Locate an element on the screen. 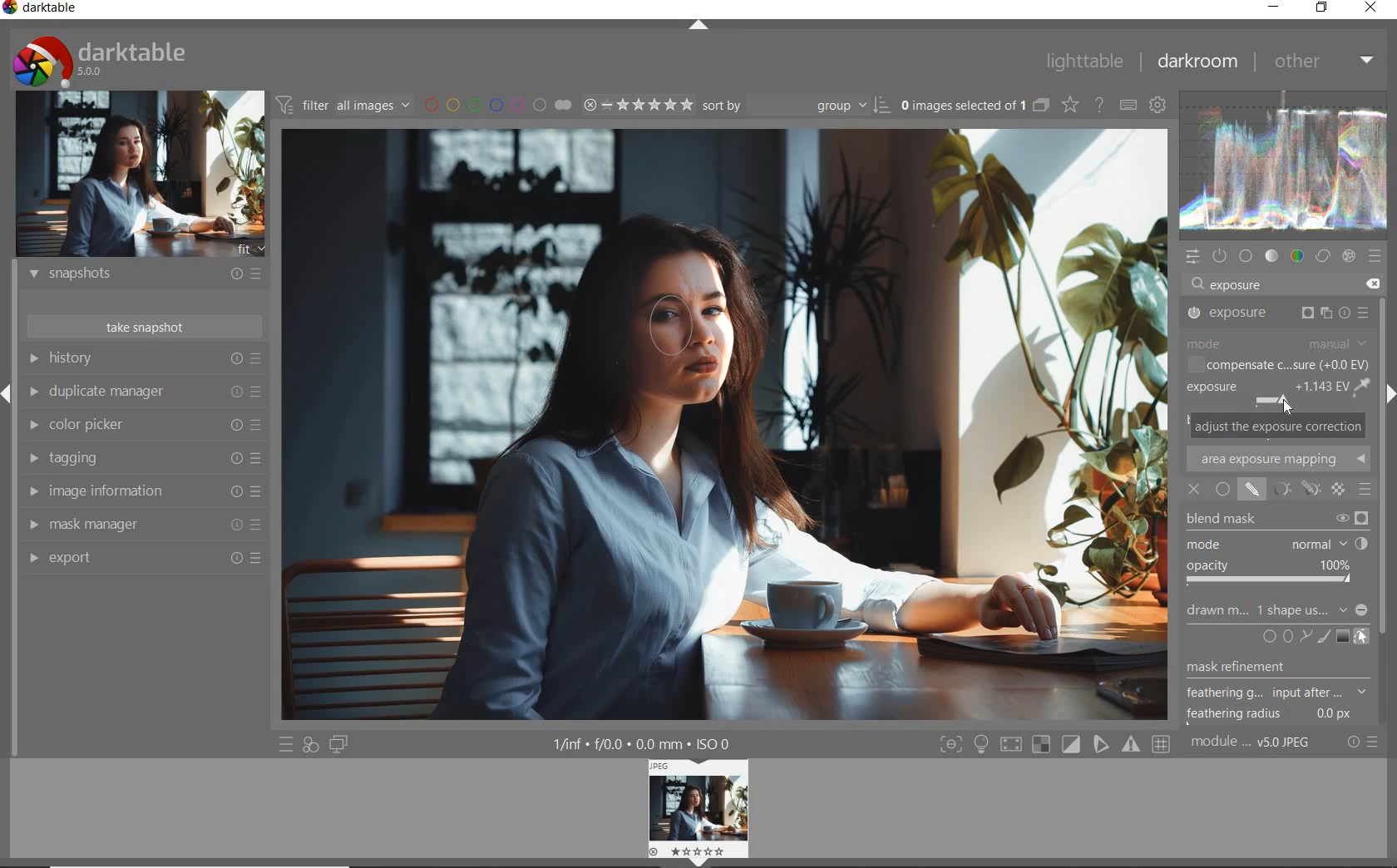 This screenshot has height=868, width=1397. change overlays shown on thumbnails is located at coordinates (1069, 104).